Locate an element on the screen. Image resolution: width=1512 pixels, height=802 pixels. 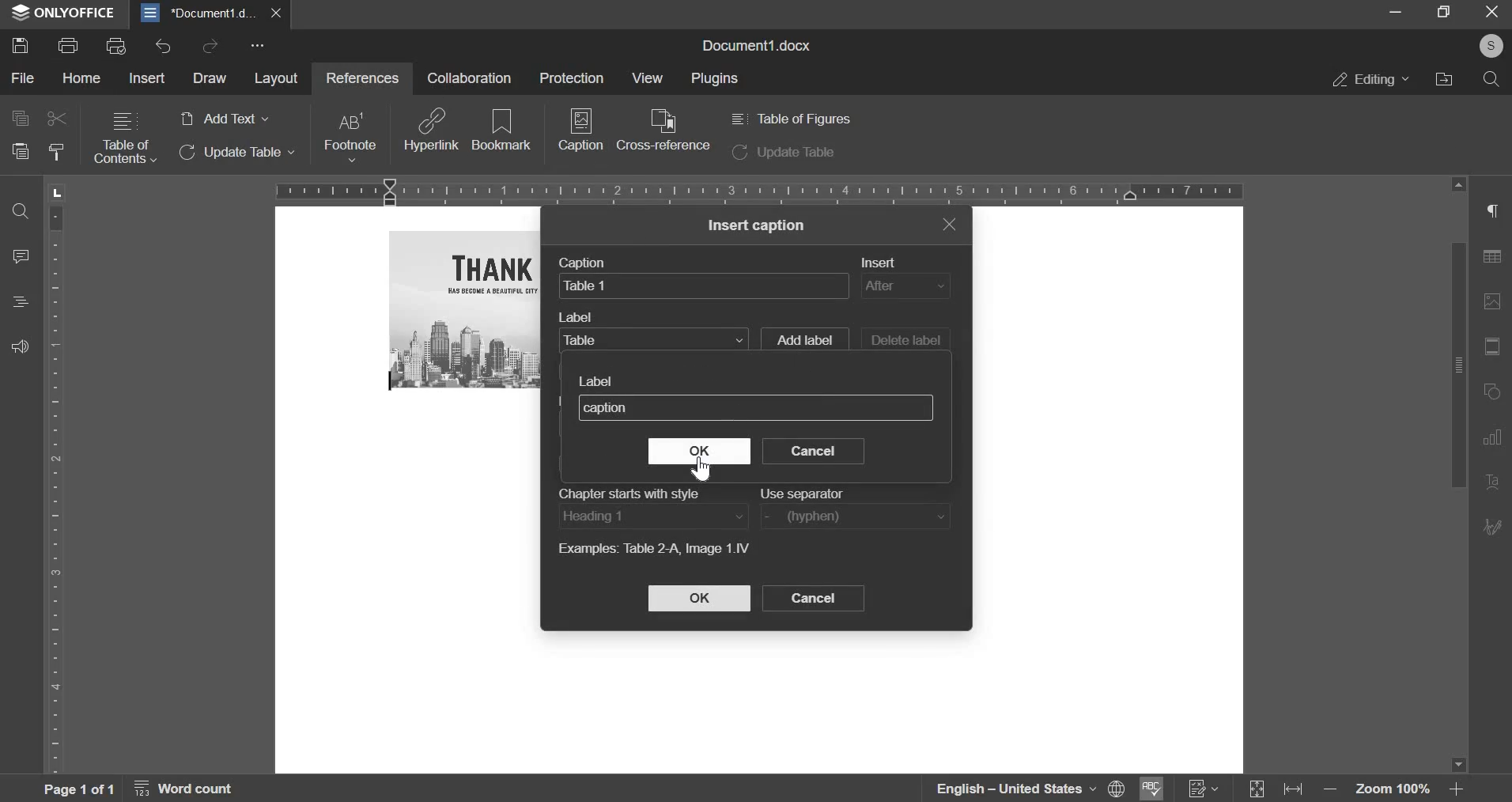
rotate is located at coordinates (1495, 393).